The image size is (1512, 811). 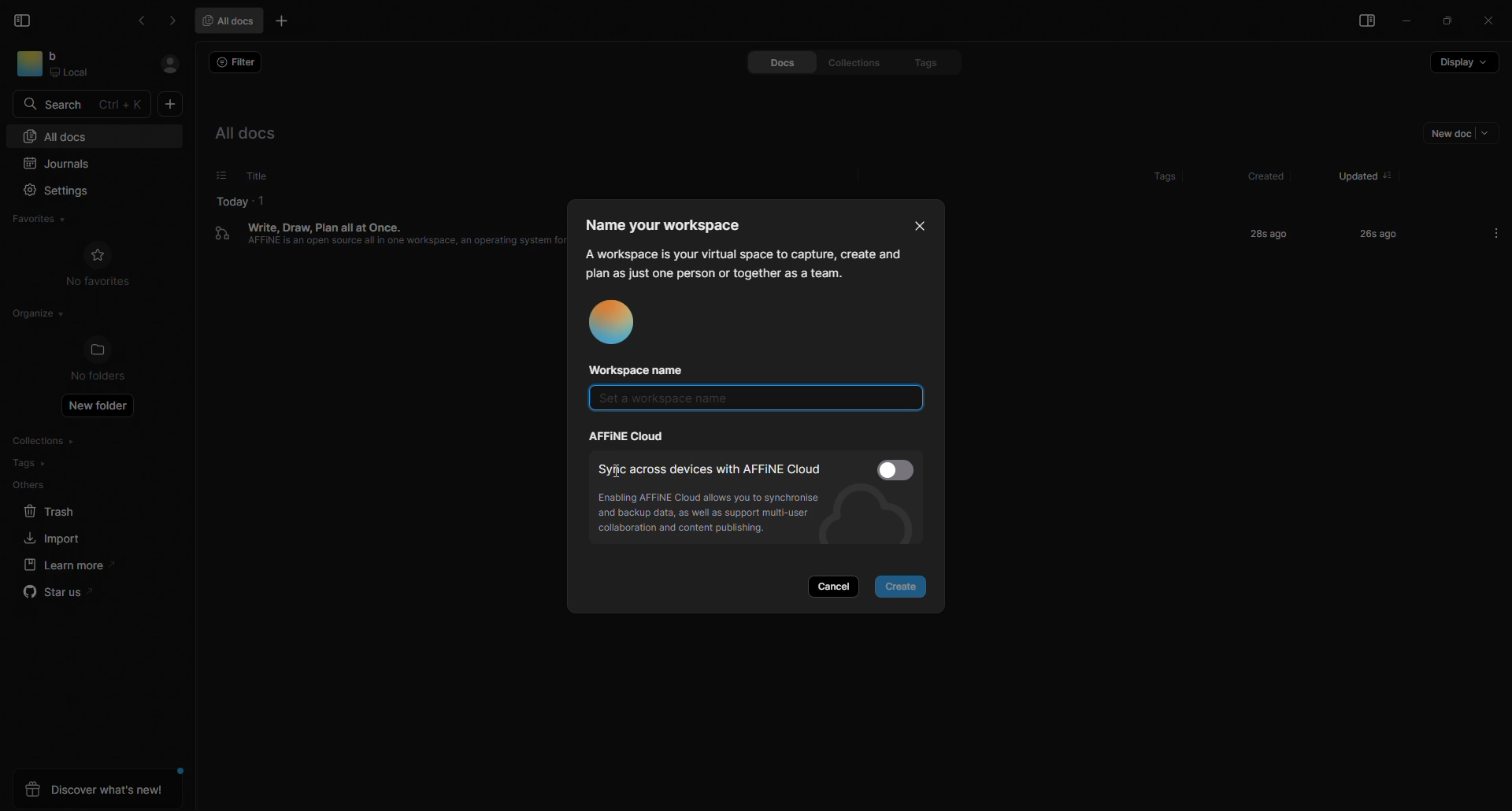 I want to click on close, so click(x=1488, y=20).